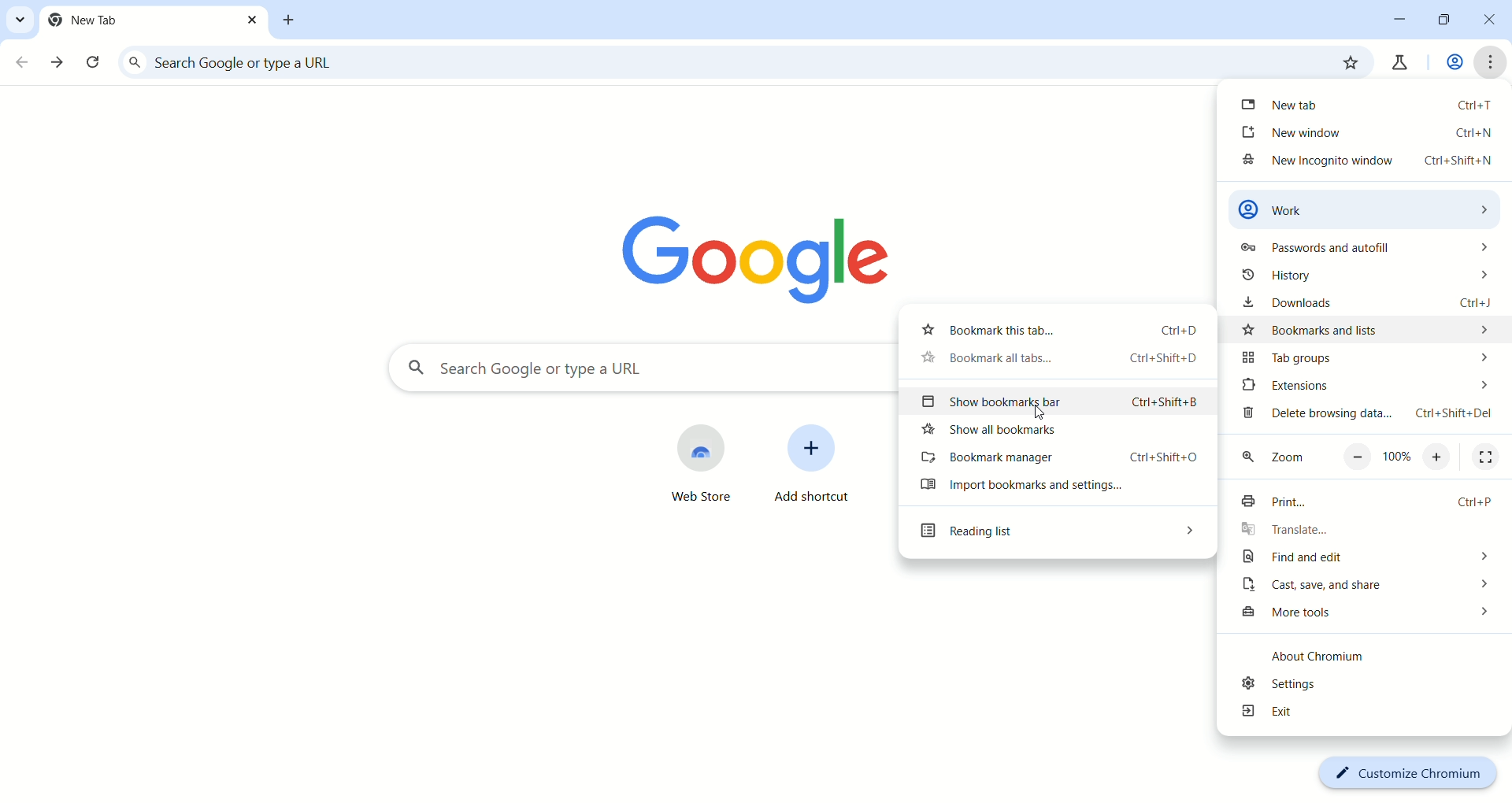 The image size is (1512, 803). Describe the element at coordinates (1494, 23) in the screenshot. I see `close` at that location.